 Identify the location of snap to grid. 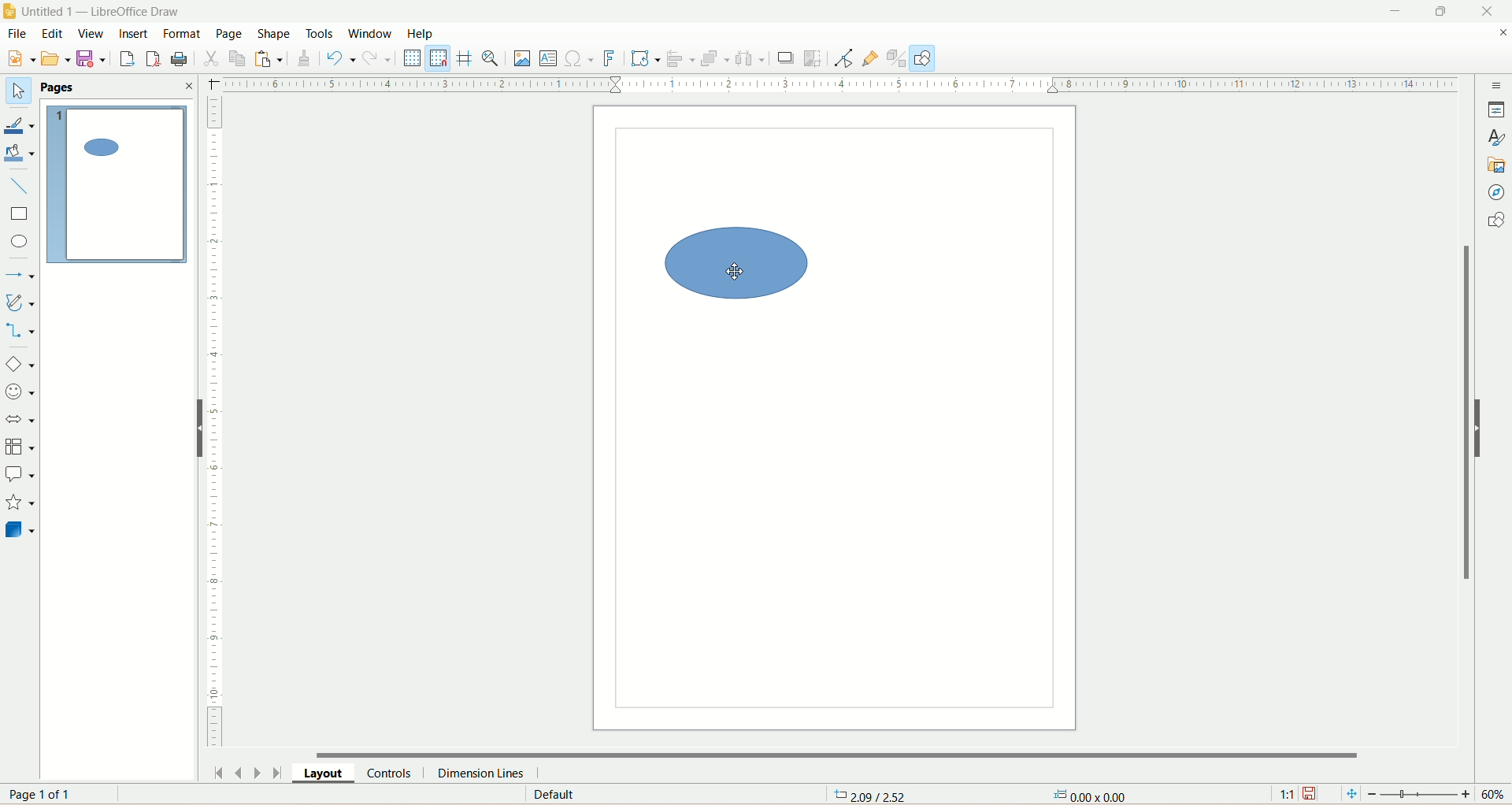
(442, 60).